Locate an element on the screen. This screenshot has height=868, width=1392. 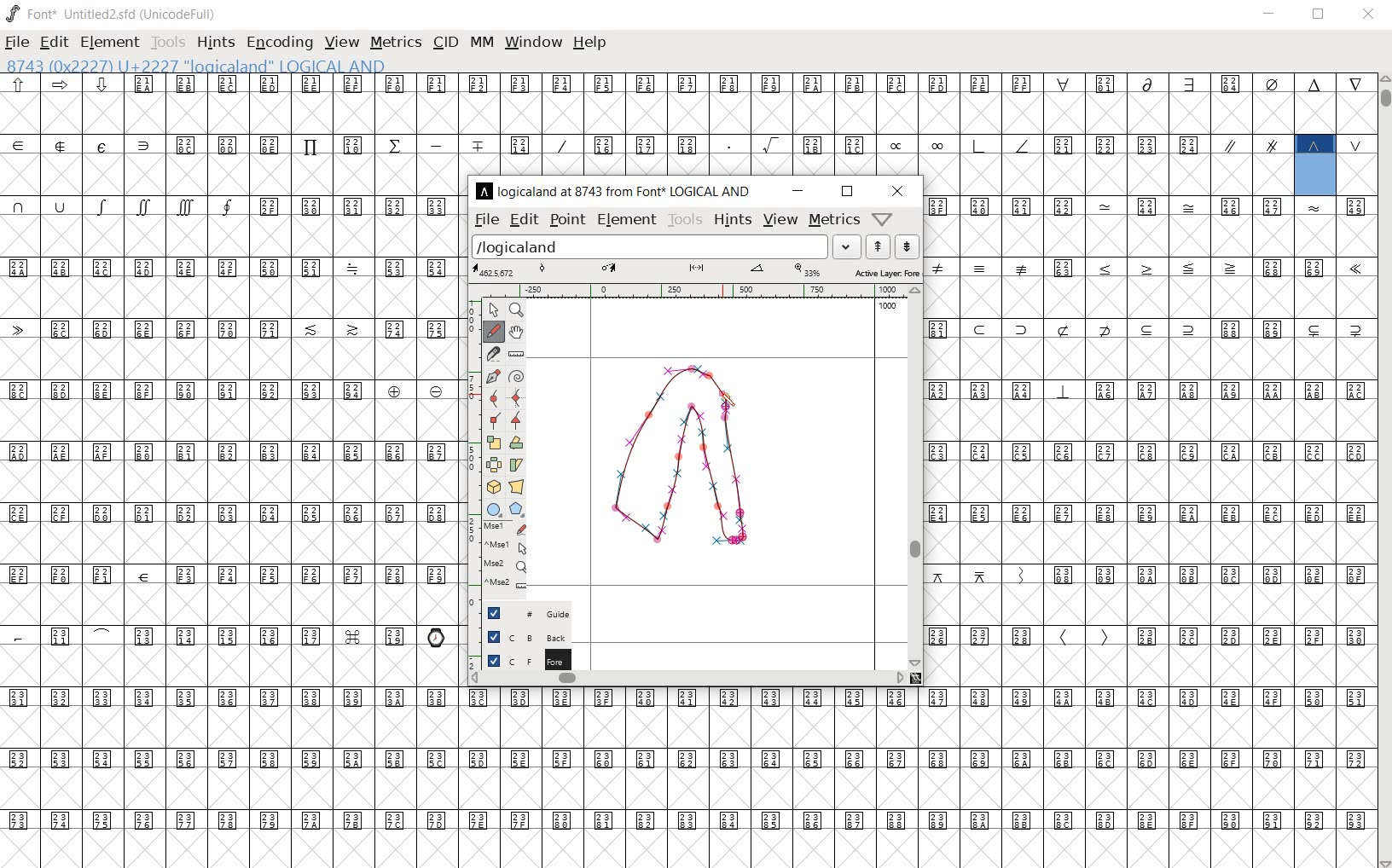
glyph characters is located at coordinates (880, 124).